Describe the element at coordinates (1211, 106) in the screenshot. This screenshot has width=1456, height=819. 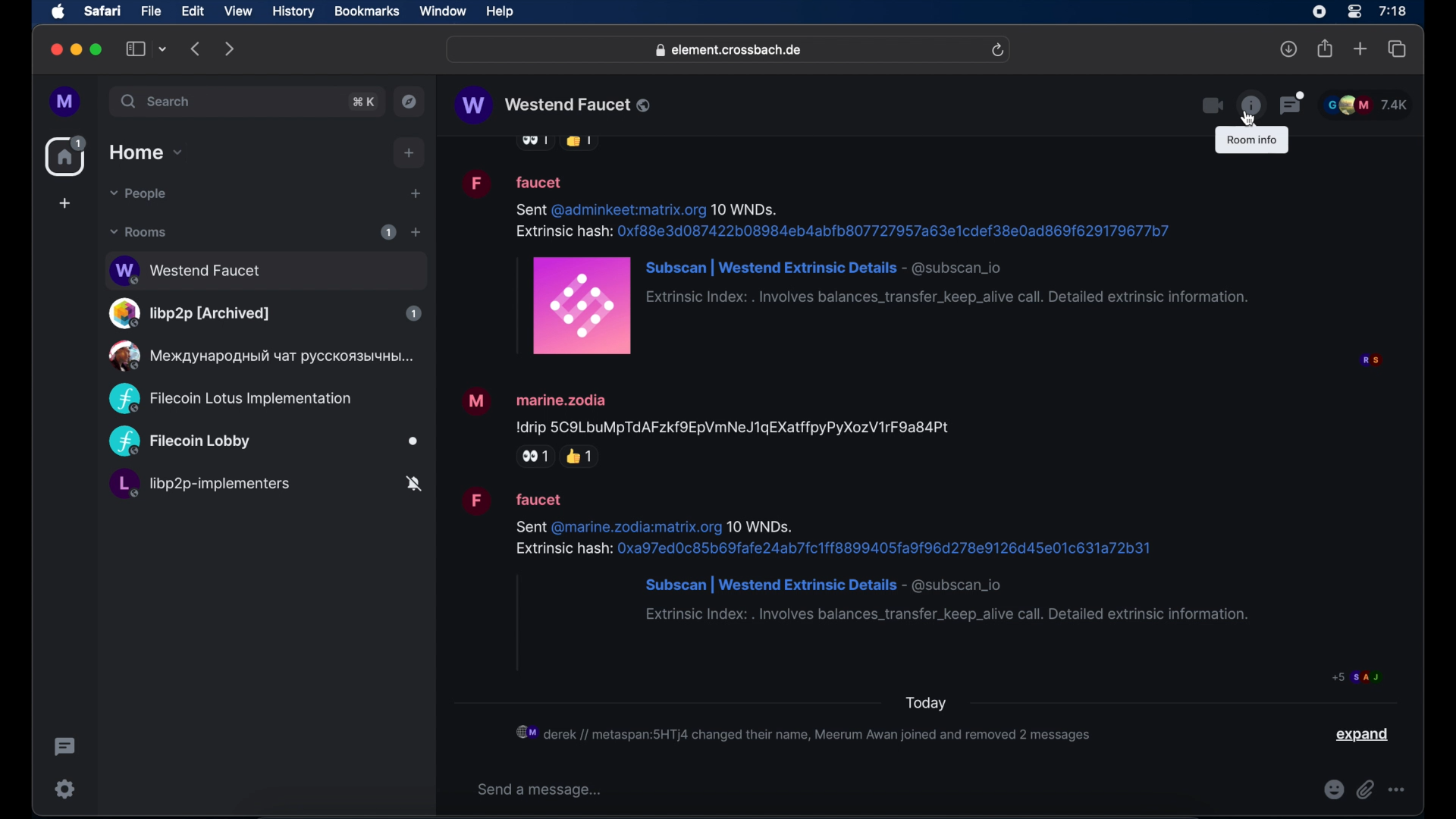
I see `video call` at that location.